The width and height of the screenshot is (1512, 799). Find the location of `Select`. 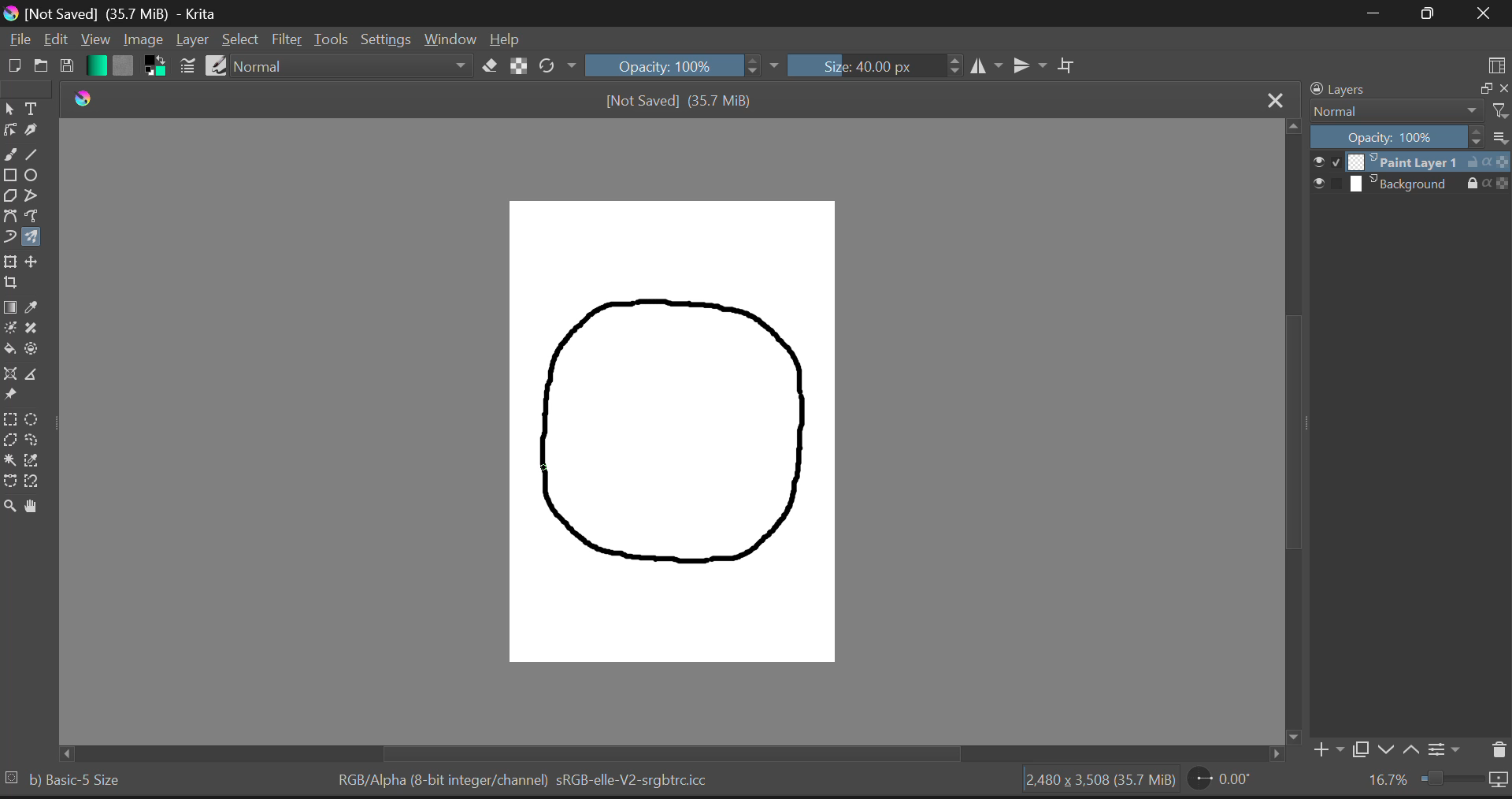

Select is located at coordinates (9, 109).